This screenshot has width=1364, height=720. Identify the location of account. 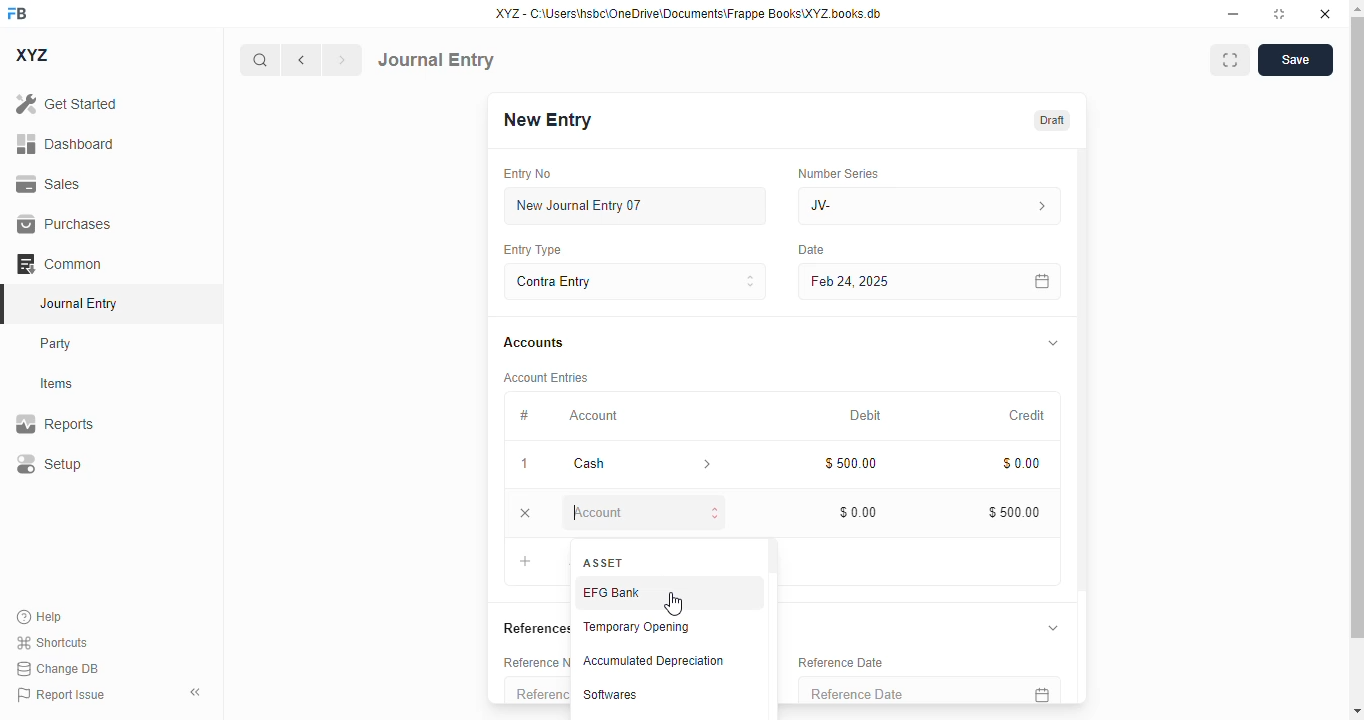
(594, 416).